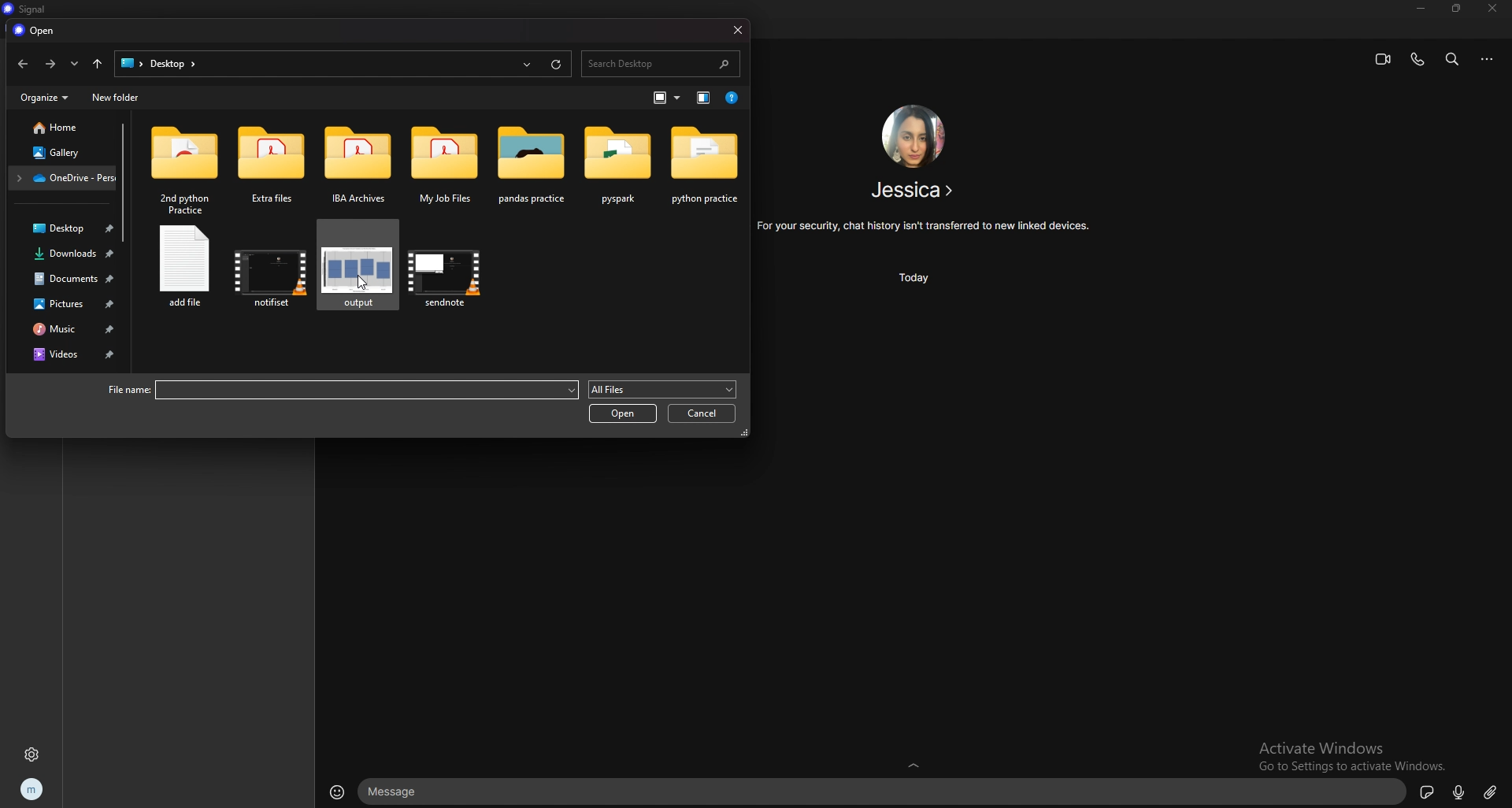 This screenshot has height=808, width=1512. What do you see at coordinates (535, 165) in the screenshot?
I see `folder` at bounding box center [535, 165].